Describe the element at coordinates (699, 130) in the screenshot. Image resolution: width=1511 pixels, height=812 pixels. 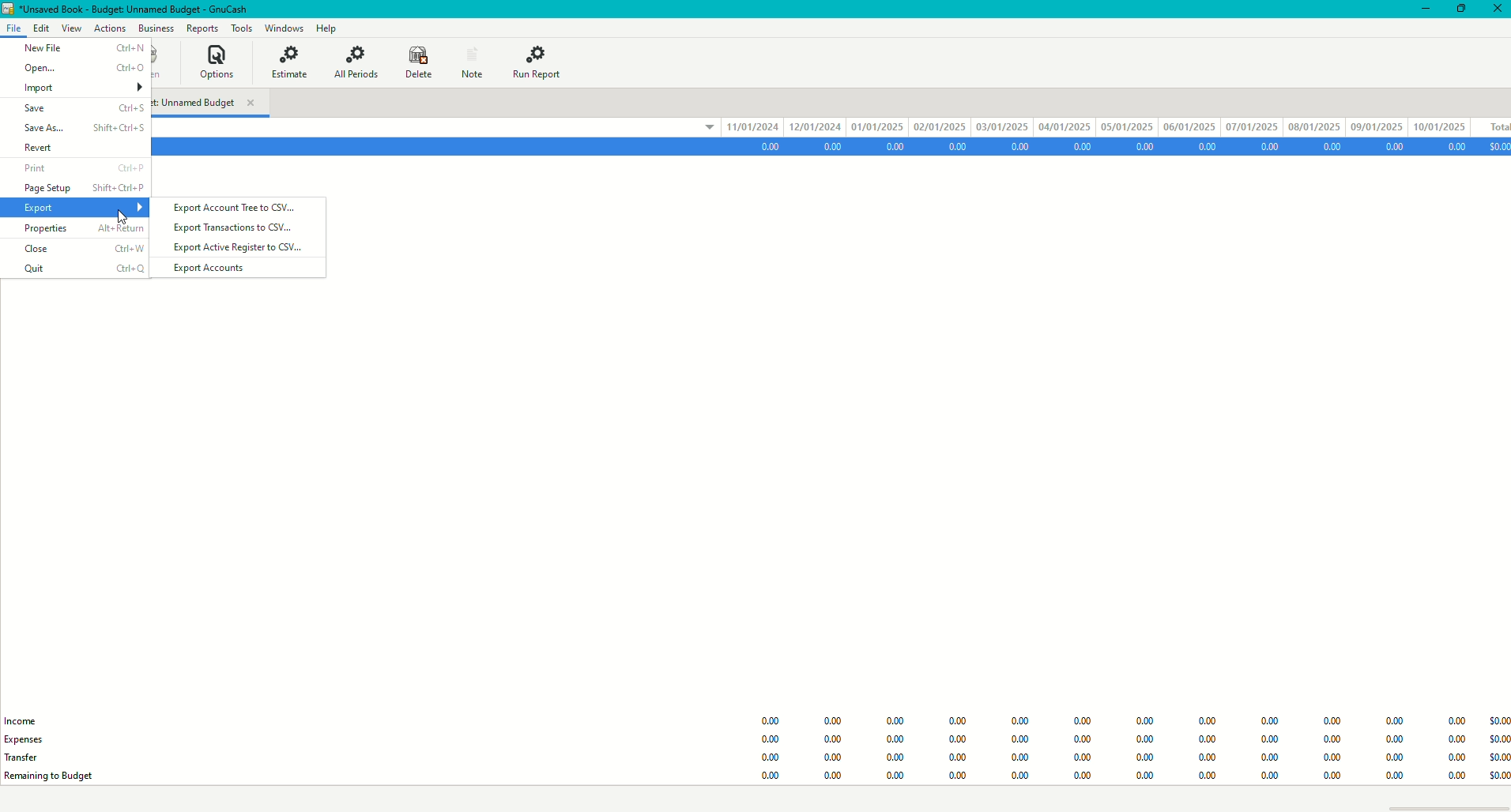
I see `drop down menu` at that location.